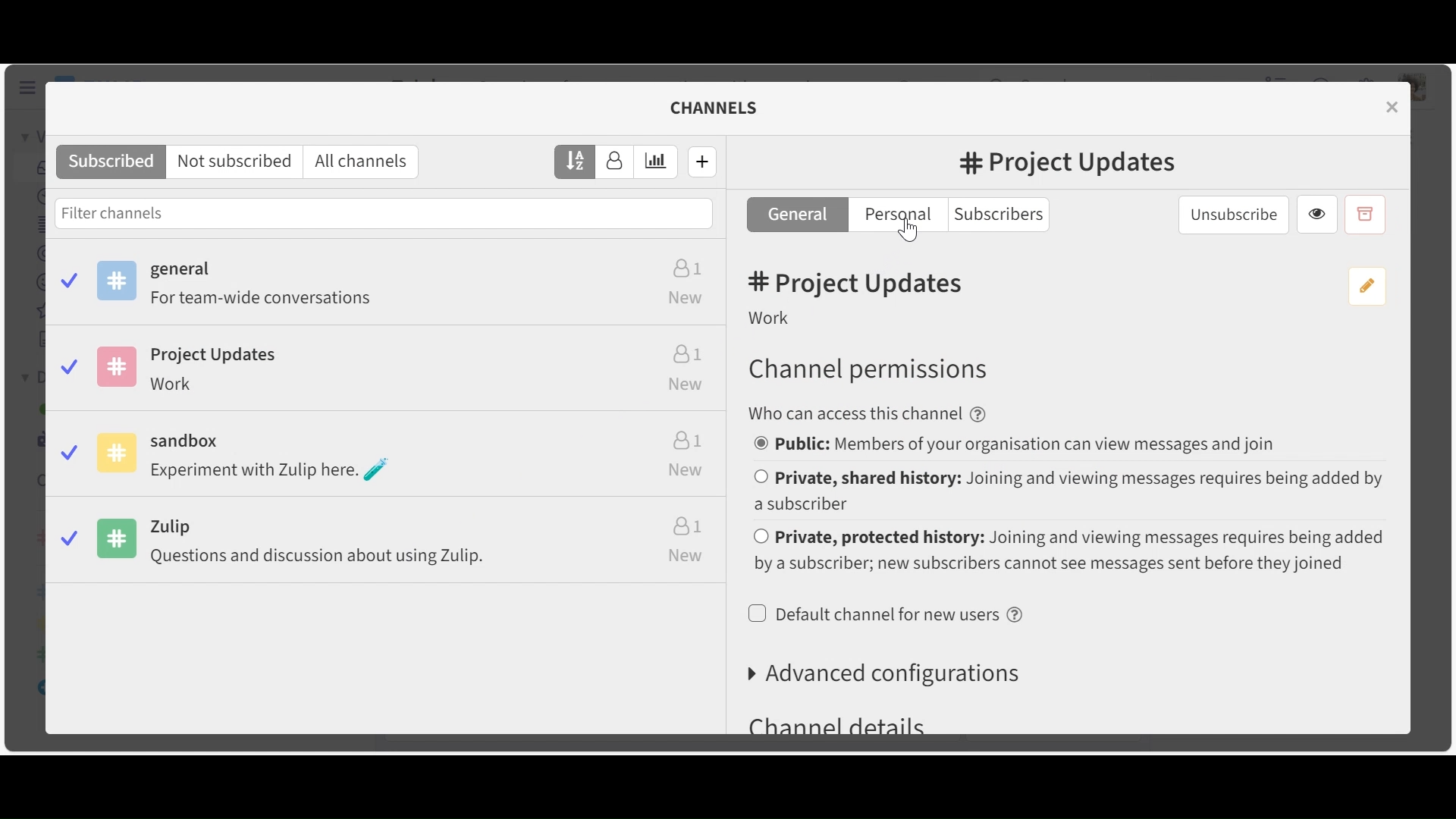 This screenshot has width=1456, height=819. What do you see at coordinates (1067, 165) in the screenshot?
I see `#Channel` at bounding box center [1067, 165].